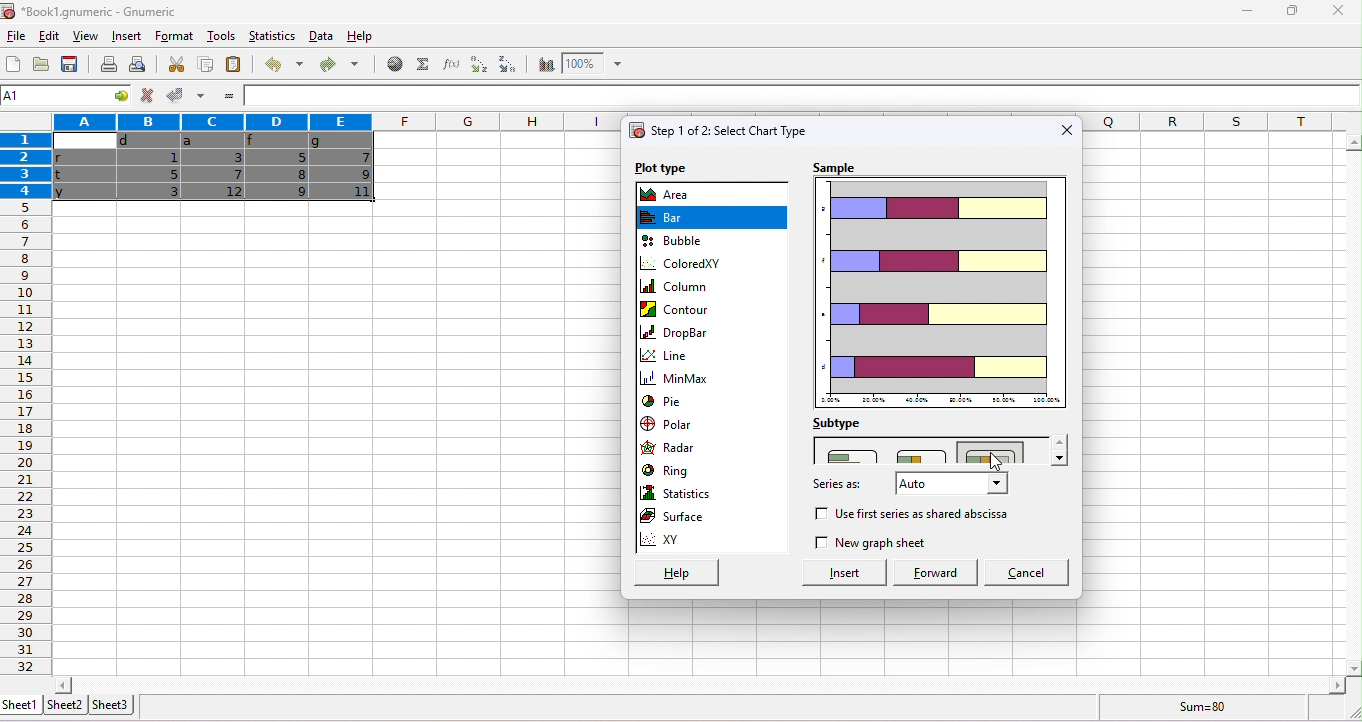 The width and height of the screenshot is (1362, 722). What do you see at coordinates (666, 401) in the screenshot?
I see `pie` at bounding box center [666, 401].